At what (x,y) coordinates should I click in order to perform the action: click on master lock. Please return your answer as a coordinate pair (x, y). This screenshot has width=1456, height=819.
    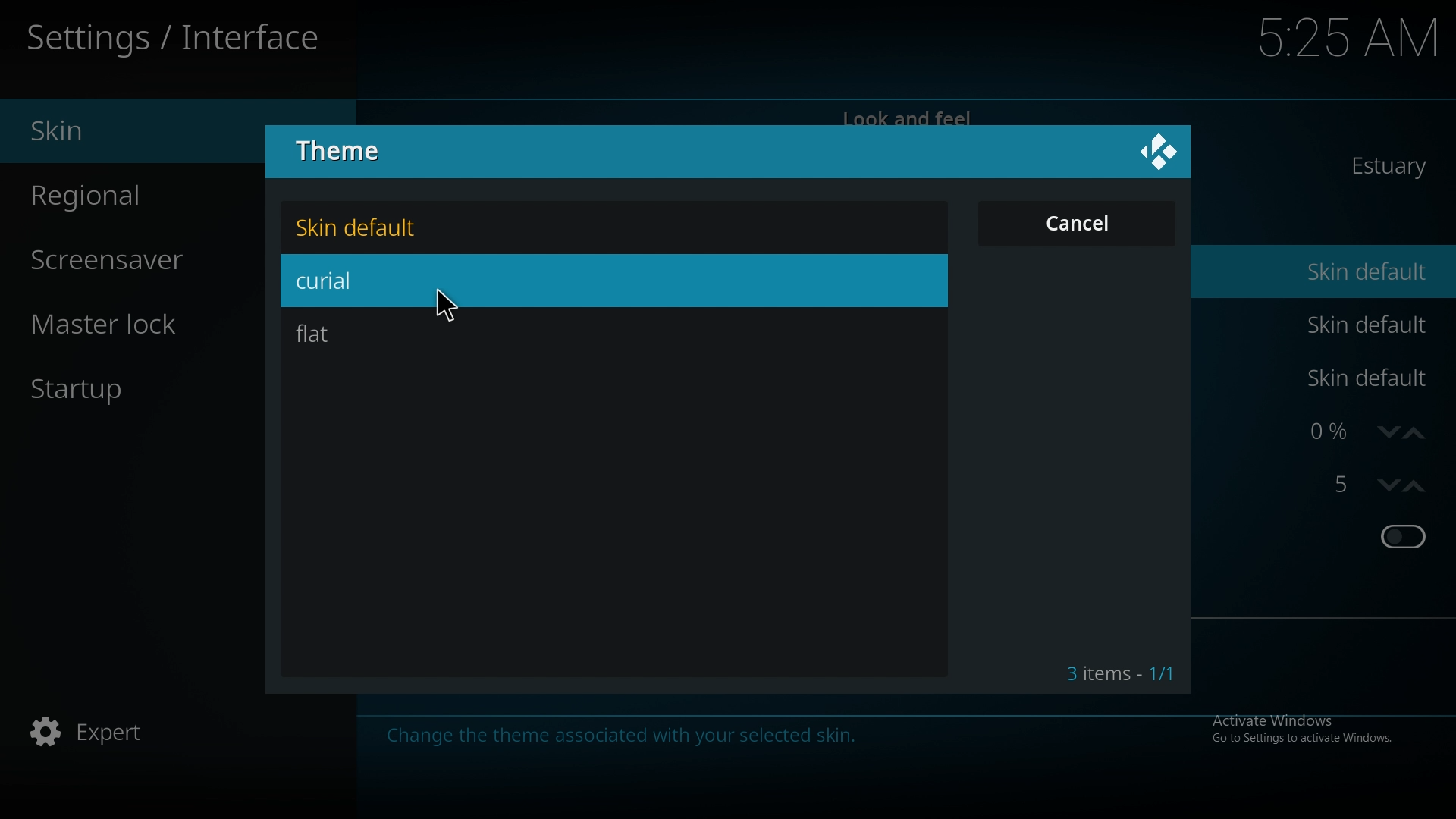
    Looking at the image, I should click on (139, 324).